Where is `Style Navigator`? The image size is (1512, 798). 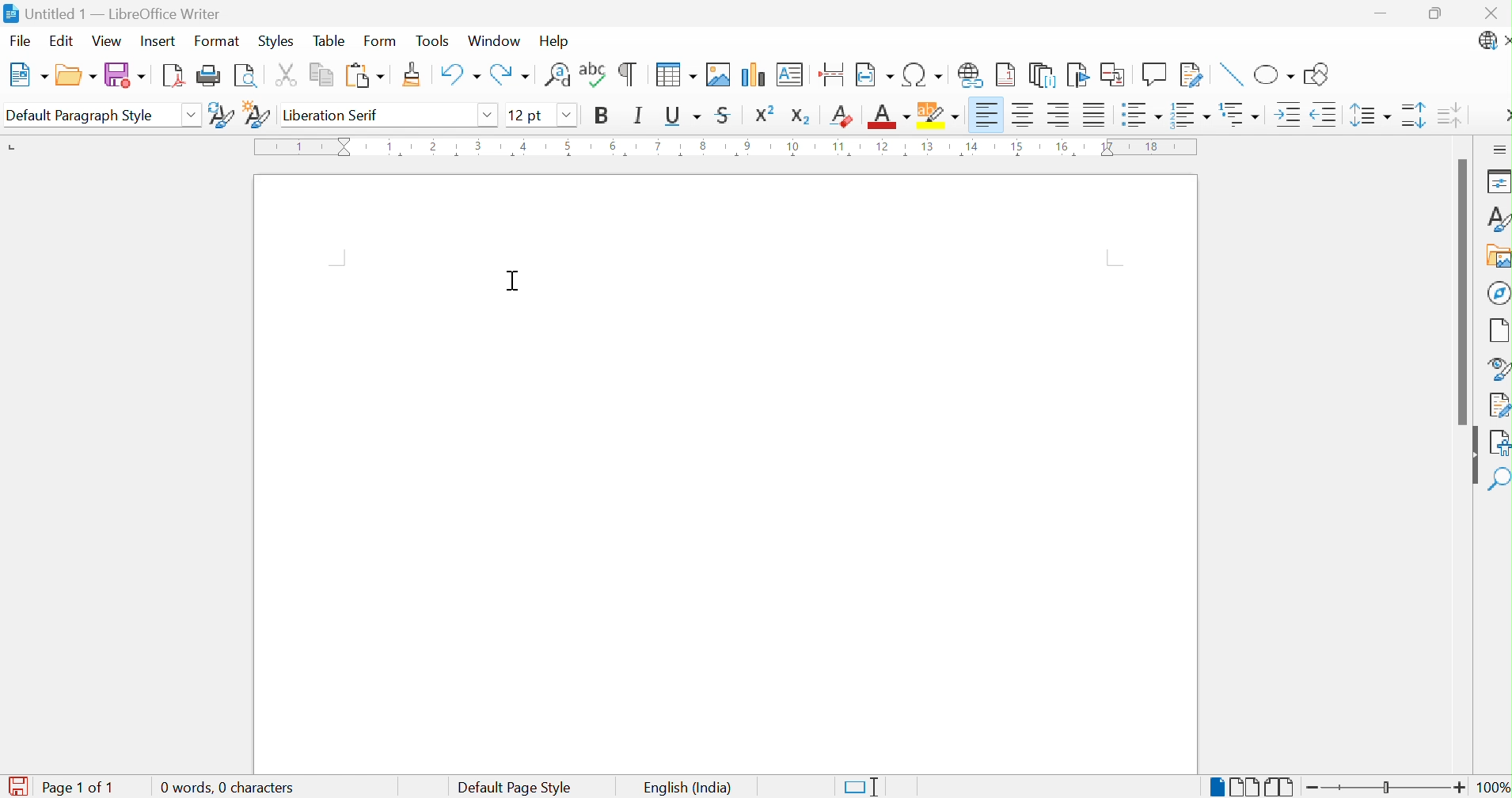 Style Navigator is located at coordinates (1495, 368).